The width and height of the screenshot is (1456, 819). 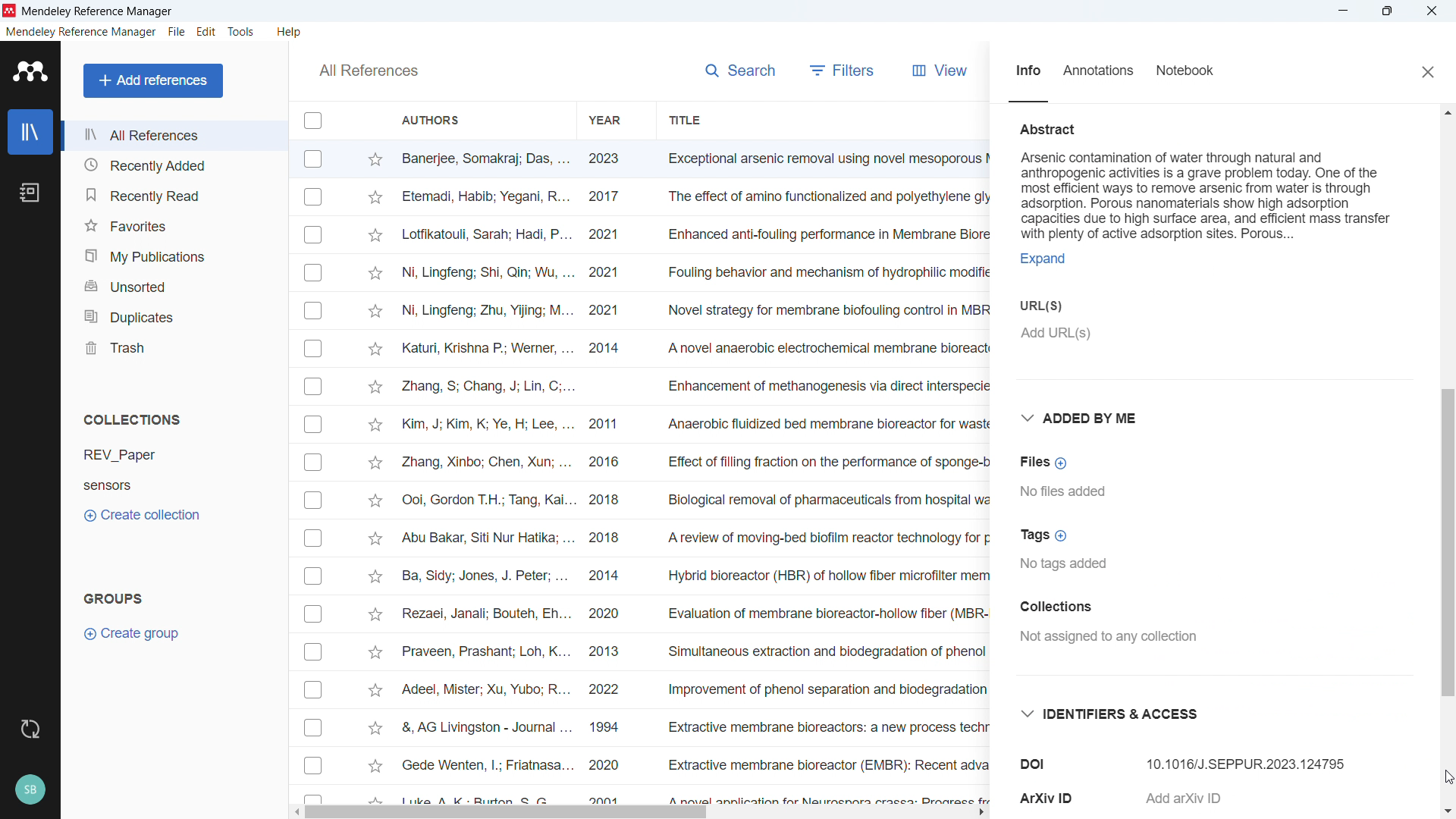 I want to click on click to starmark individual entries, so click(x=374, y=275).